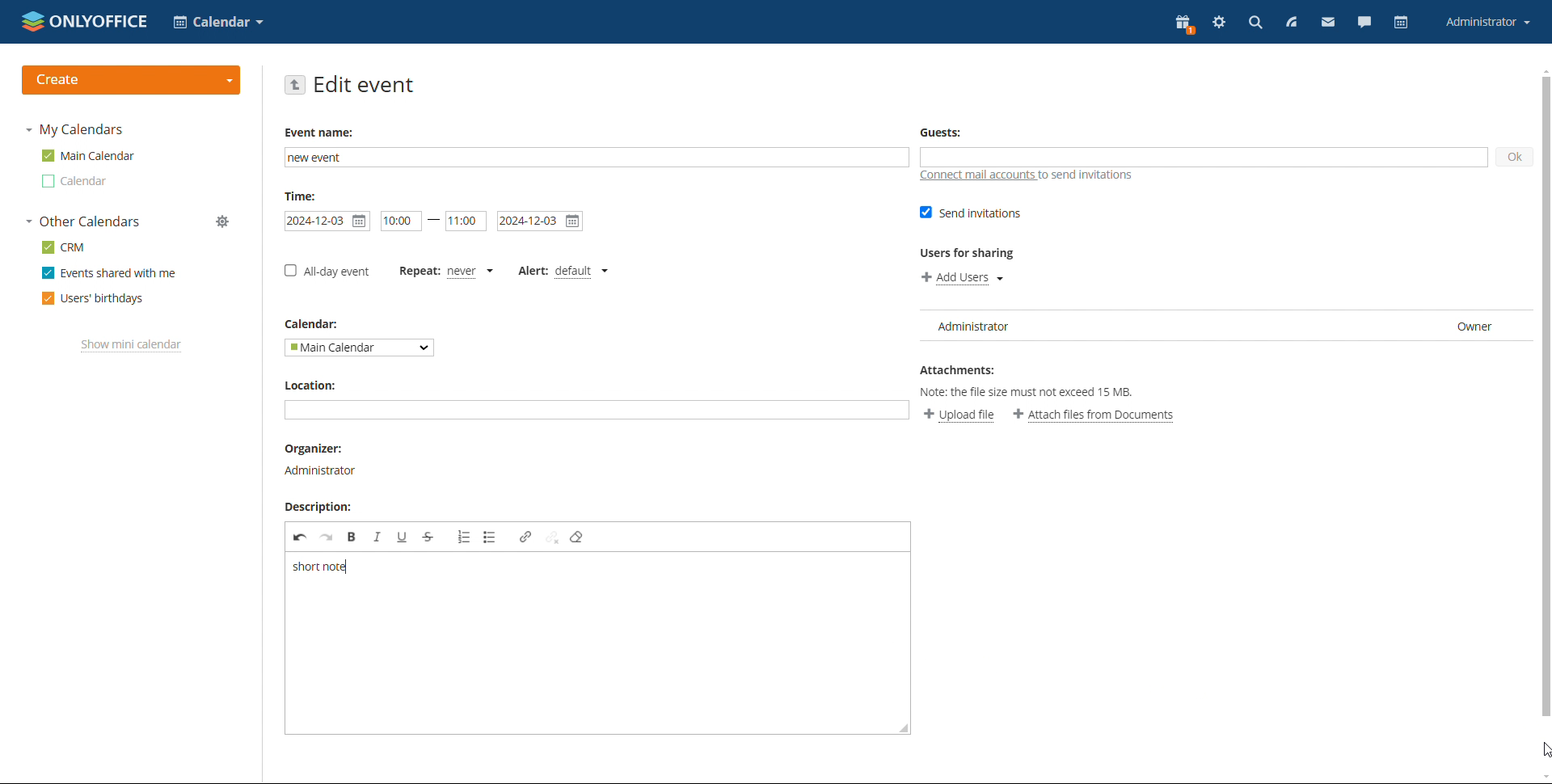 This screenshot has width=1552, height=784. Describe the element at coordinates (77, 129) in the screenshot. I see `my calendars` at that location.